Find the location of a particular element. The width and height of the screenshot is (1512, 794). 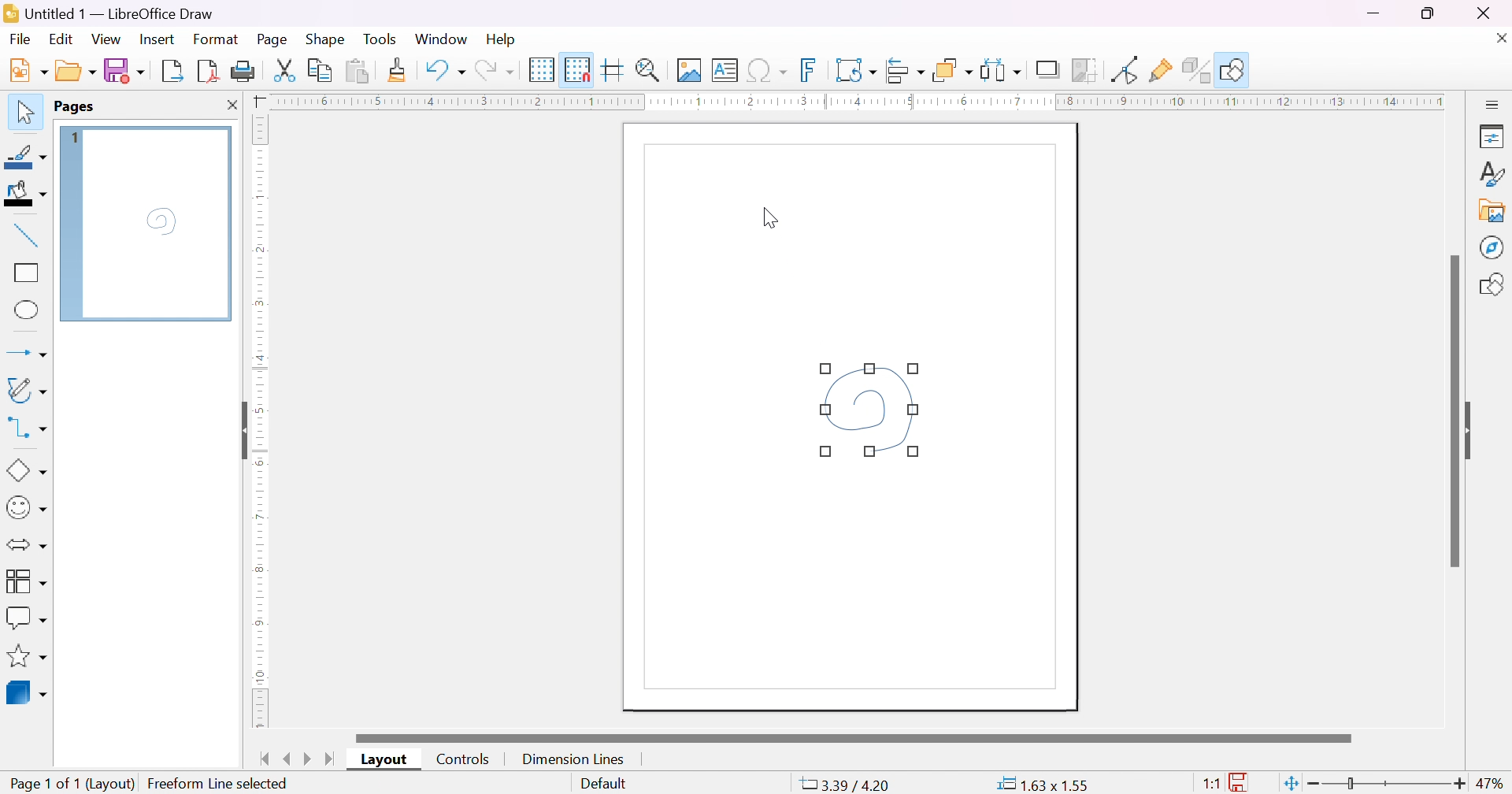

zoom & plan is located at coordinates (650, 70).